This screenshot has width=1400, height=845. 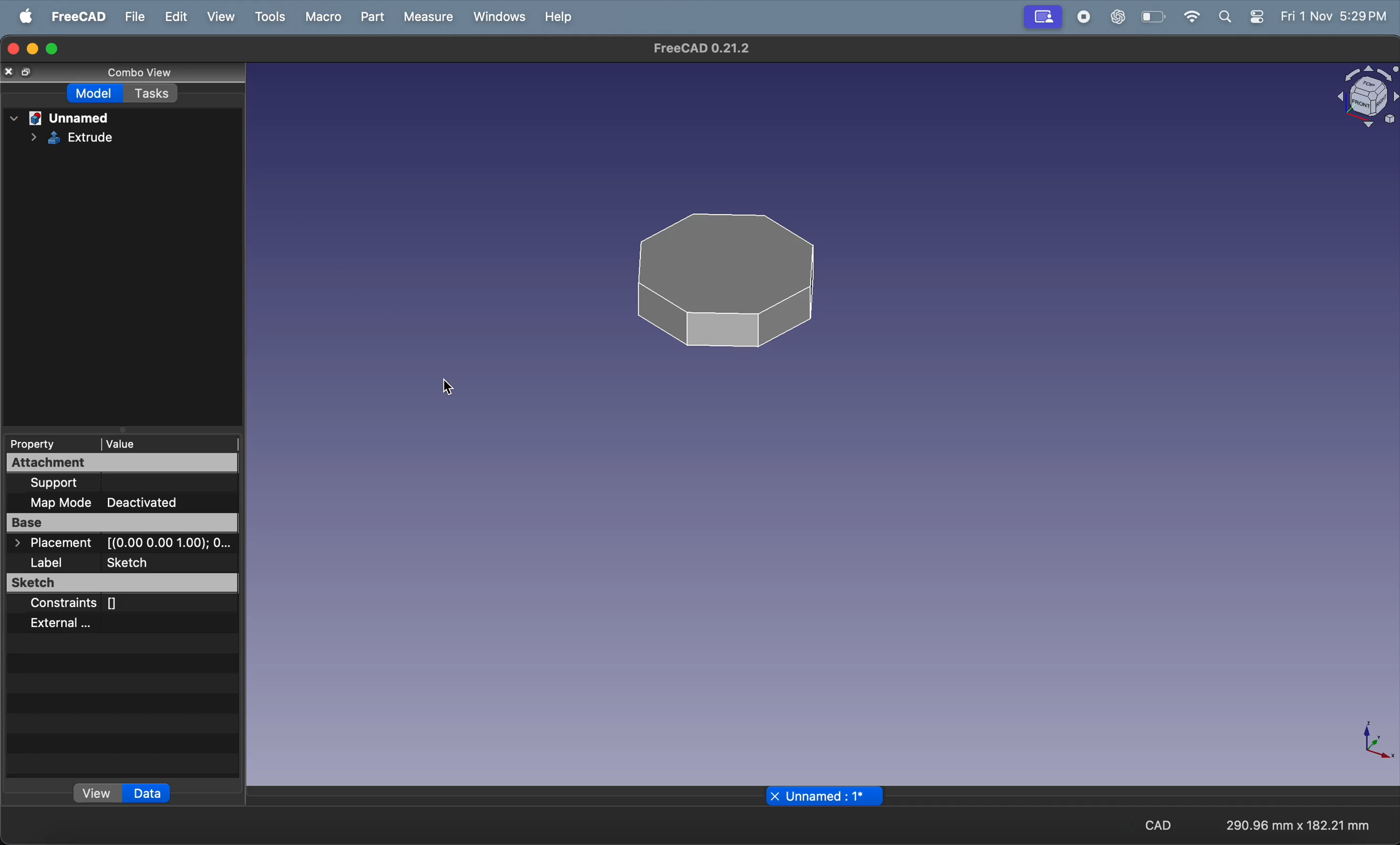 I want to click on wifi, so click(x=1186, y=19).